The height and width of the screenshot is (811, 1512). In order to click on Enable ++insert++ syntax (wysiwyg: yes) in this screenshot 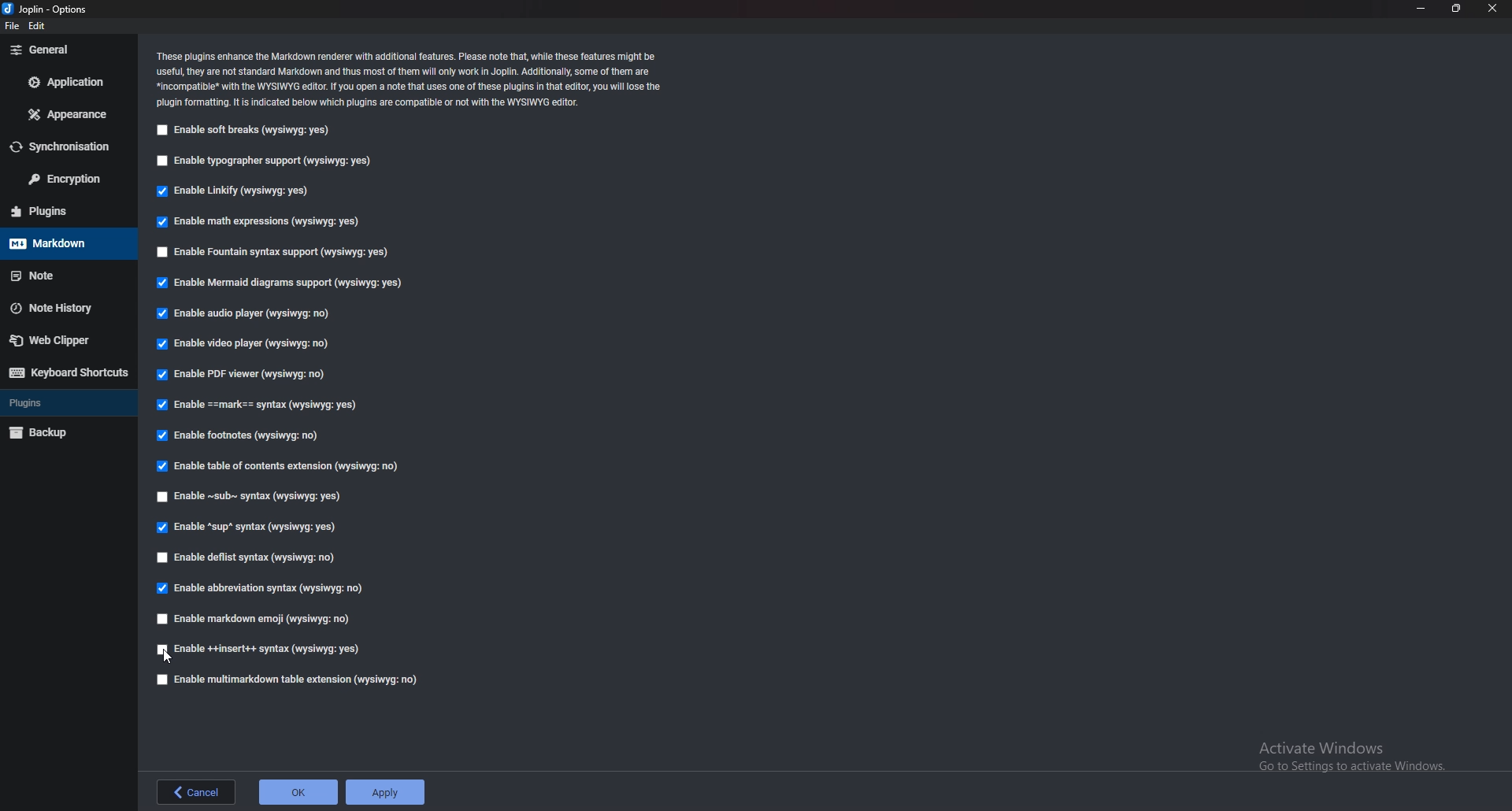, I will do `click(260, 648)`.